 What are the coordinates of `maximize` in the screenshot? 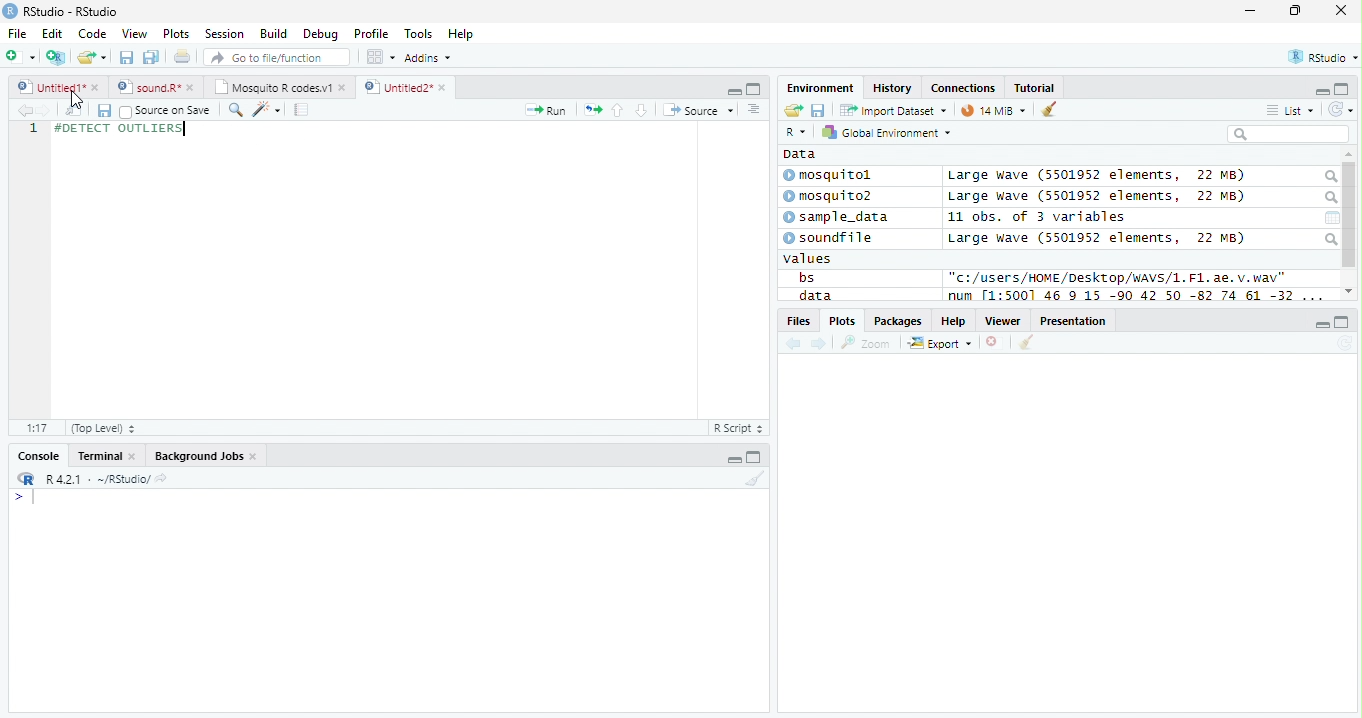 It's located at (1294, 10).